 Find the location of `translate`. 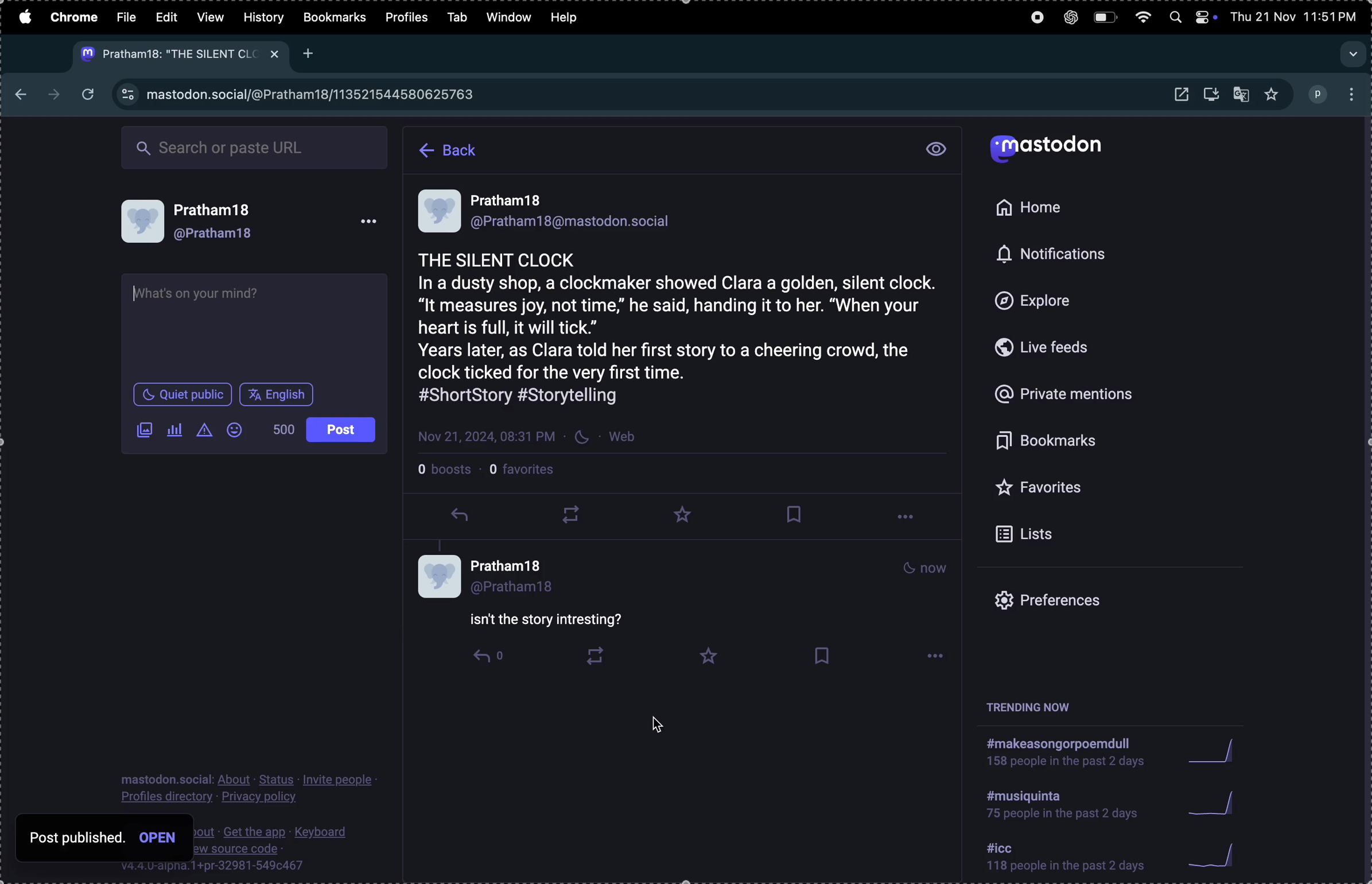

translate is located at coordinates (1243, 93).